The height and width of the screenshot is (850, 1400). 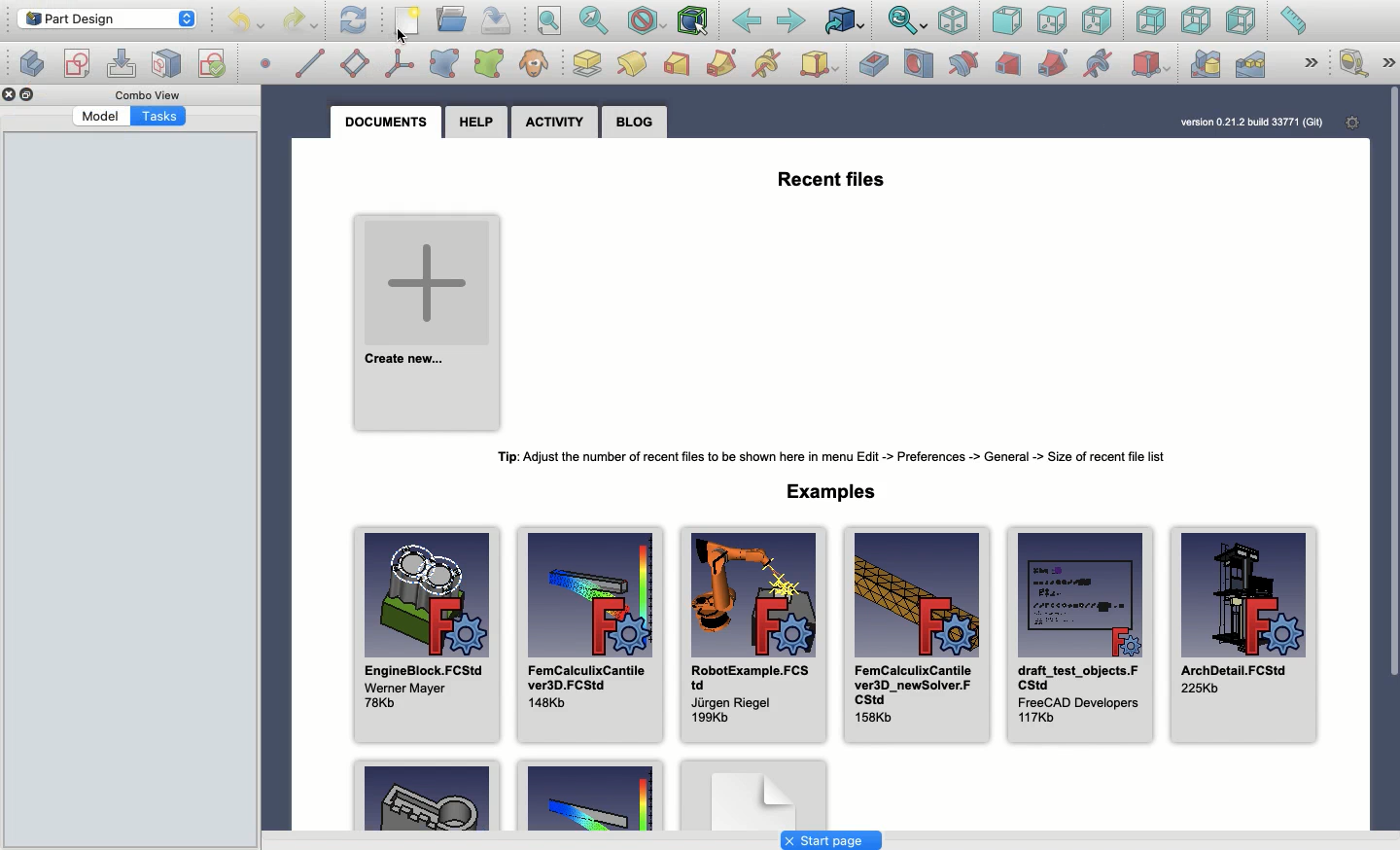 I want to click on Expand, so click(x=1388, y=63).